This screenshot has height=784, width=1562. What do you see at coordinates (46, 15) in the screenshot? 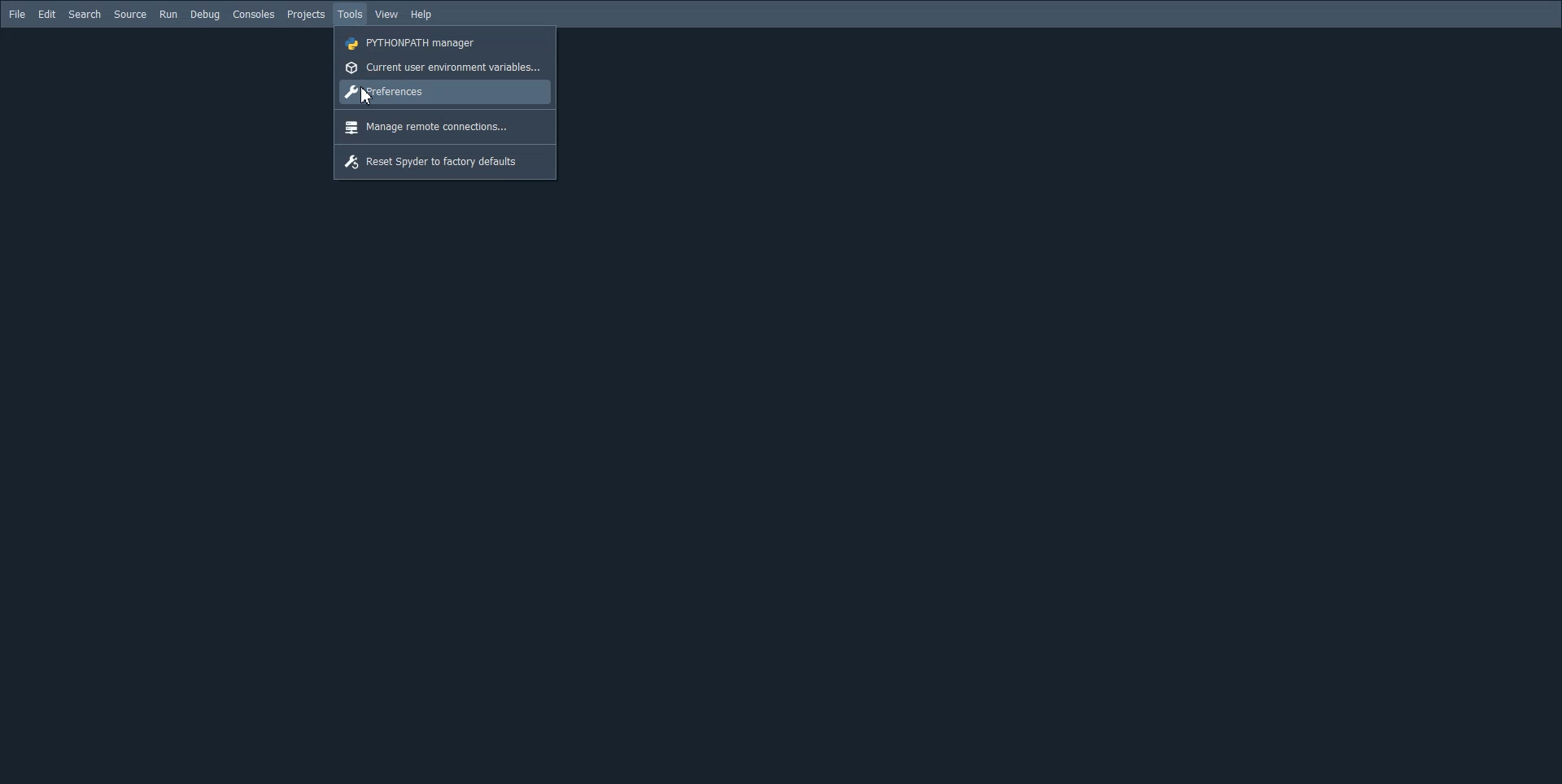
I see `Edit` at bounding box center [46, 15].